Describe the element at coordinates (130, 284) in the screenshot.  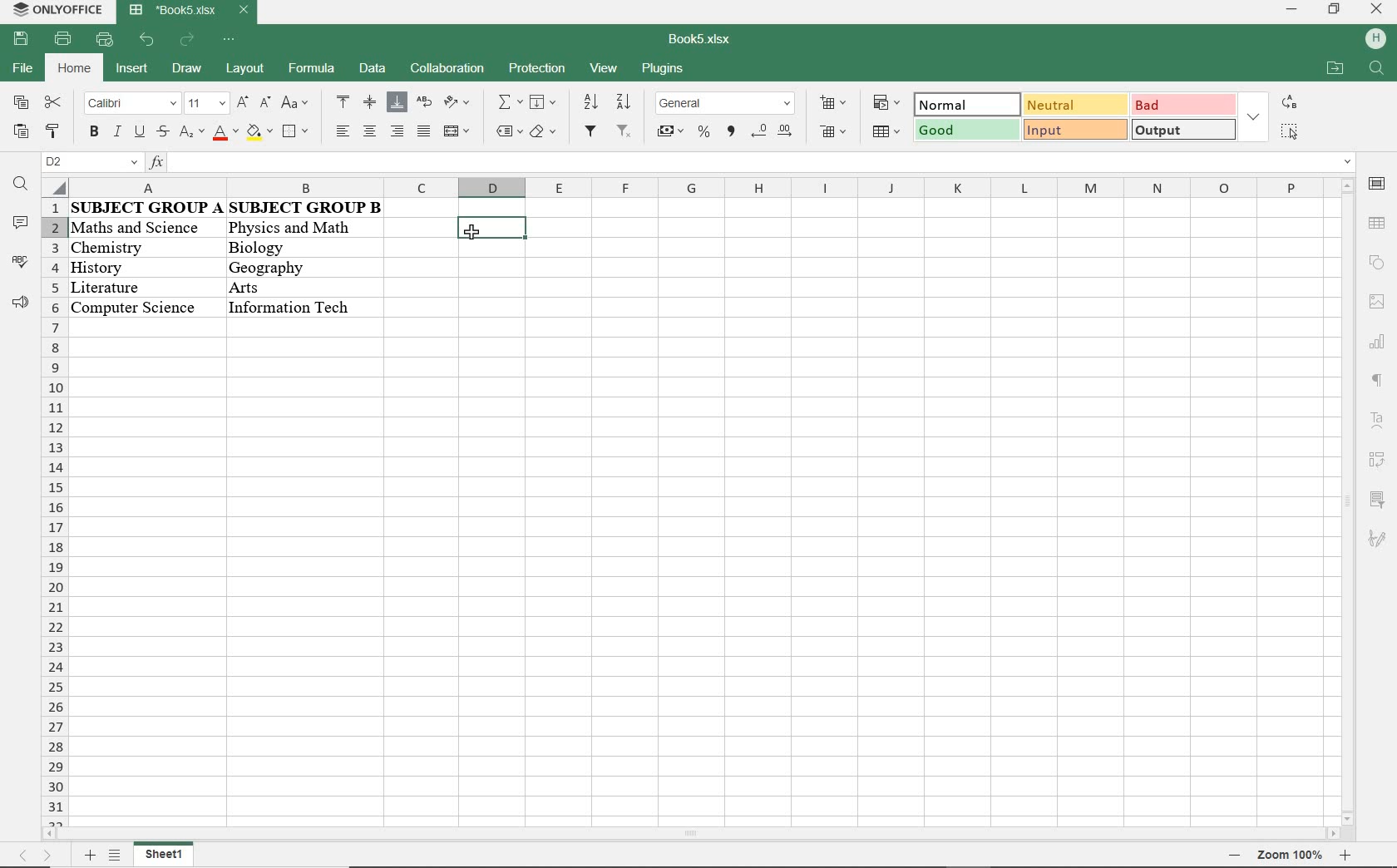
I see `literature` at that location.